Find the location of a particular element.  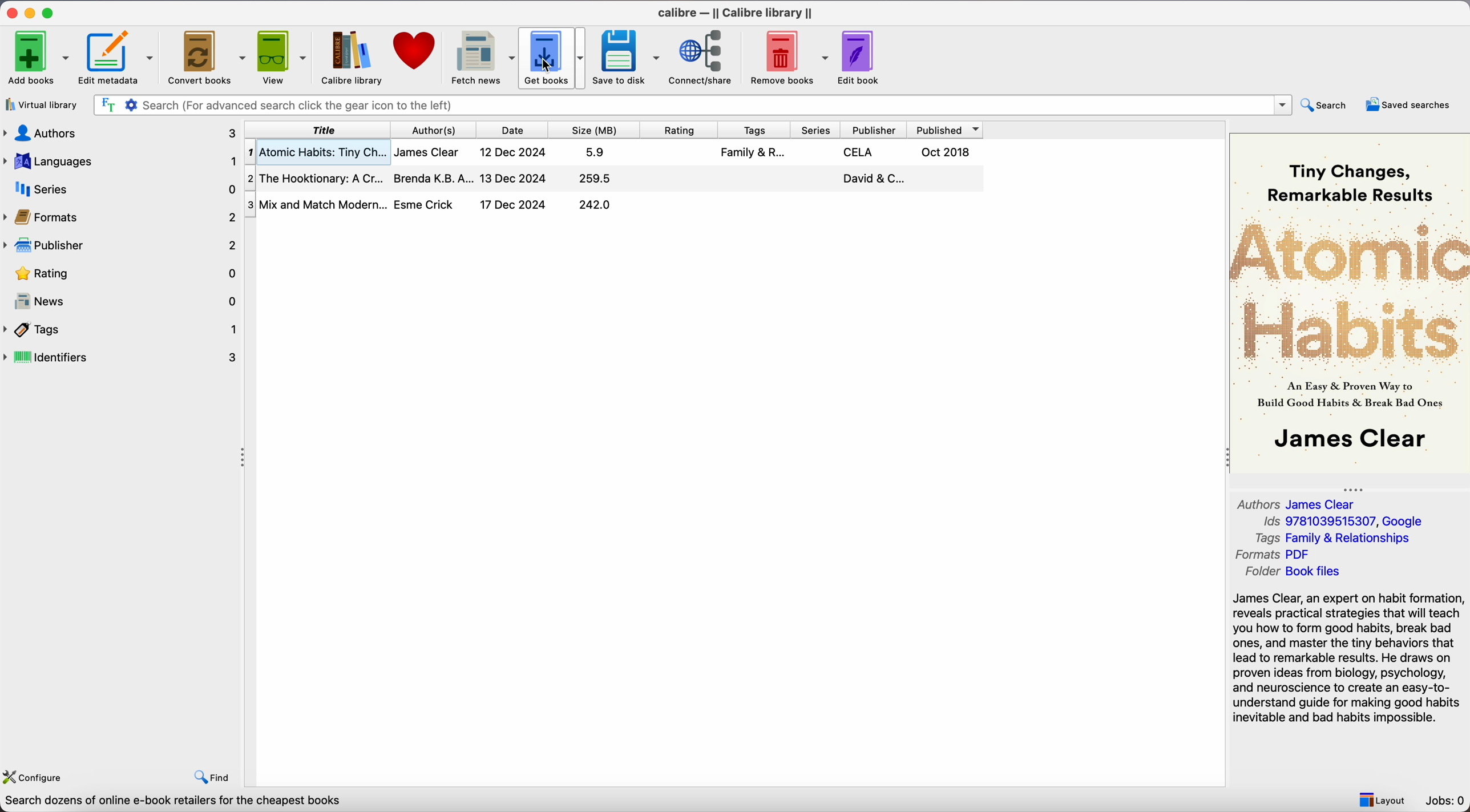

published is located at coordinates (949, 130).